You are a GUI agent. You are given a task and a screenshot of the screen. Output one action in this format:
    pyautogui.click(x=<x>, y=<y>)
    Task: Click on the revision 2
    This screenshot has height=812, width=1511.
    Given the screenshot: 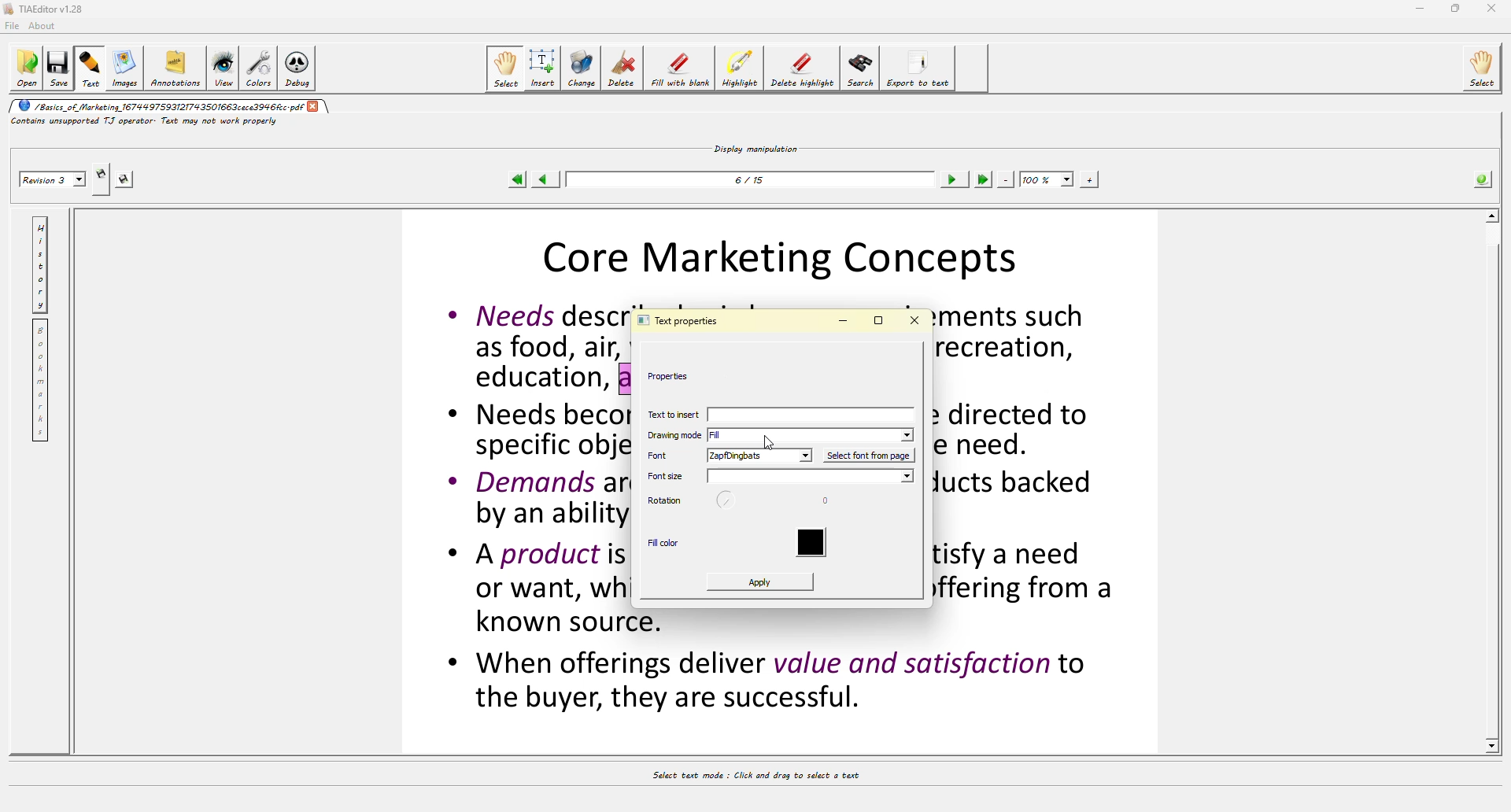 What is the action you would take?
    pyautogui.click(x=54, y=180)
    